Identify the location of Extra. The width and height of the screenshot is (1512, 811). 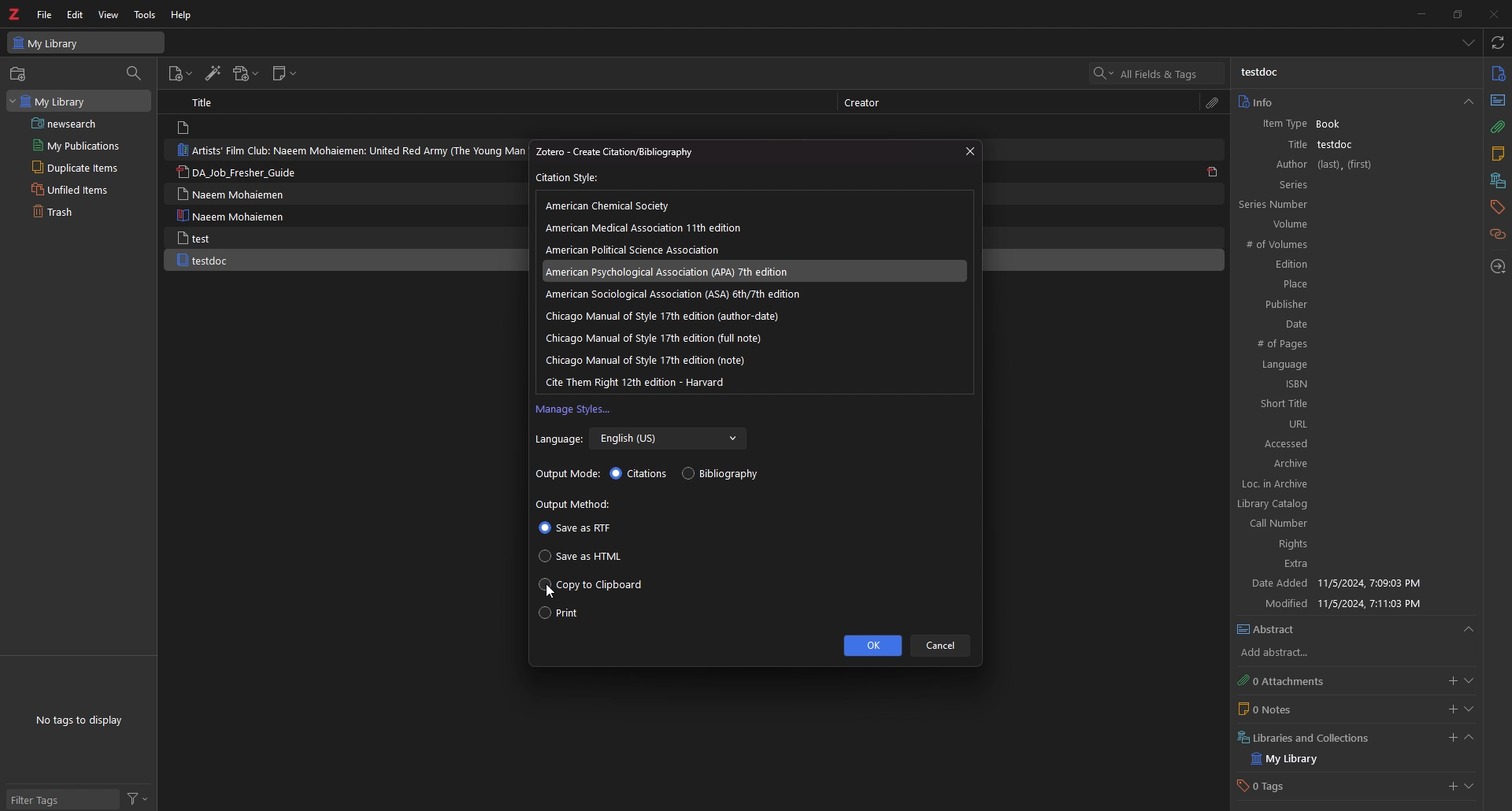
(1346, 565).